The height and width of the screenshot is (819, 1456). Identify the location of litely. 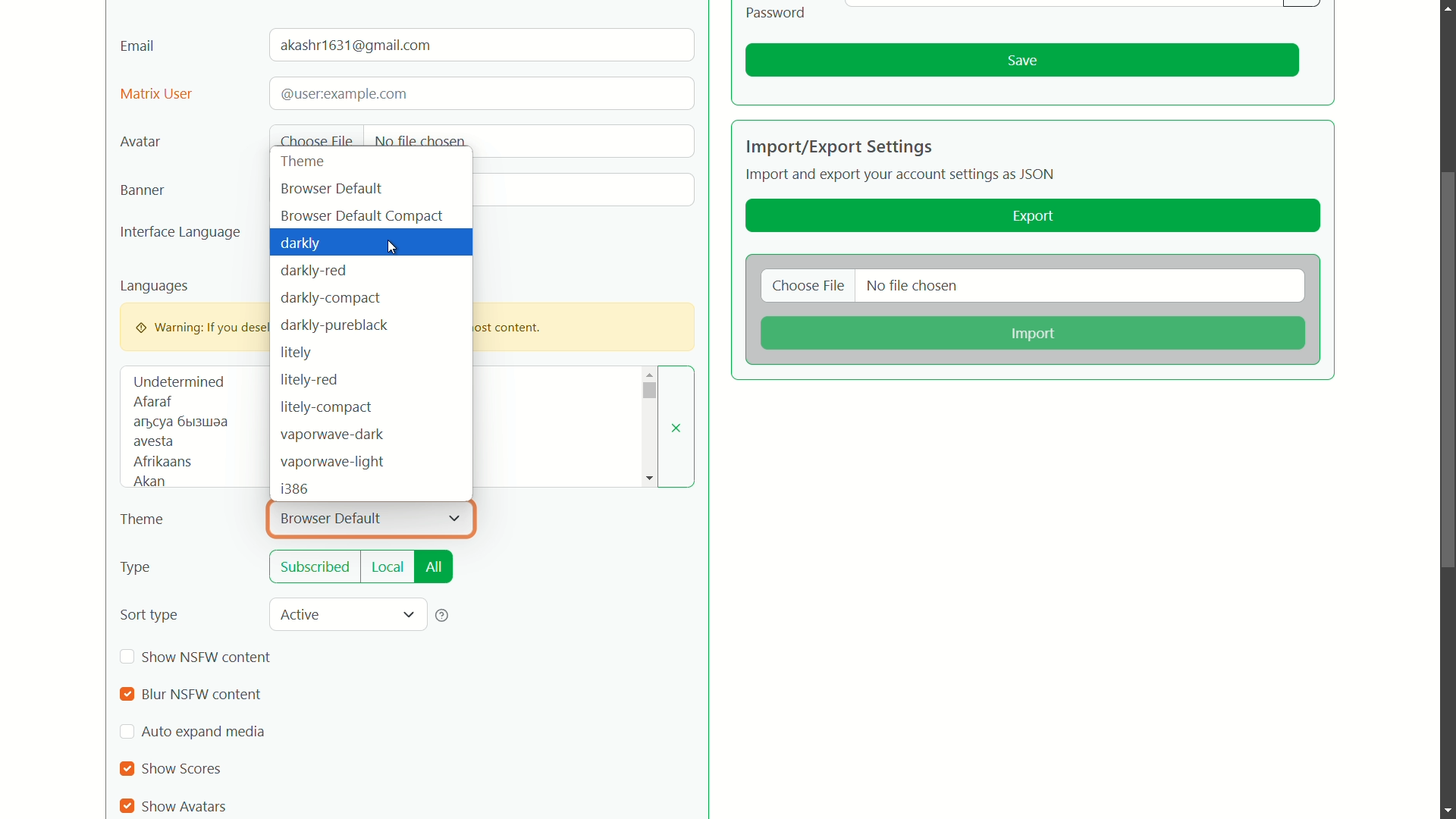
(294, 354).